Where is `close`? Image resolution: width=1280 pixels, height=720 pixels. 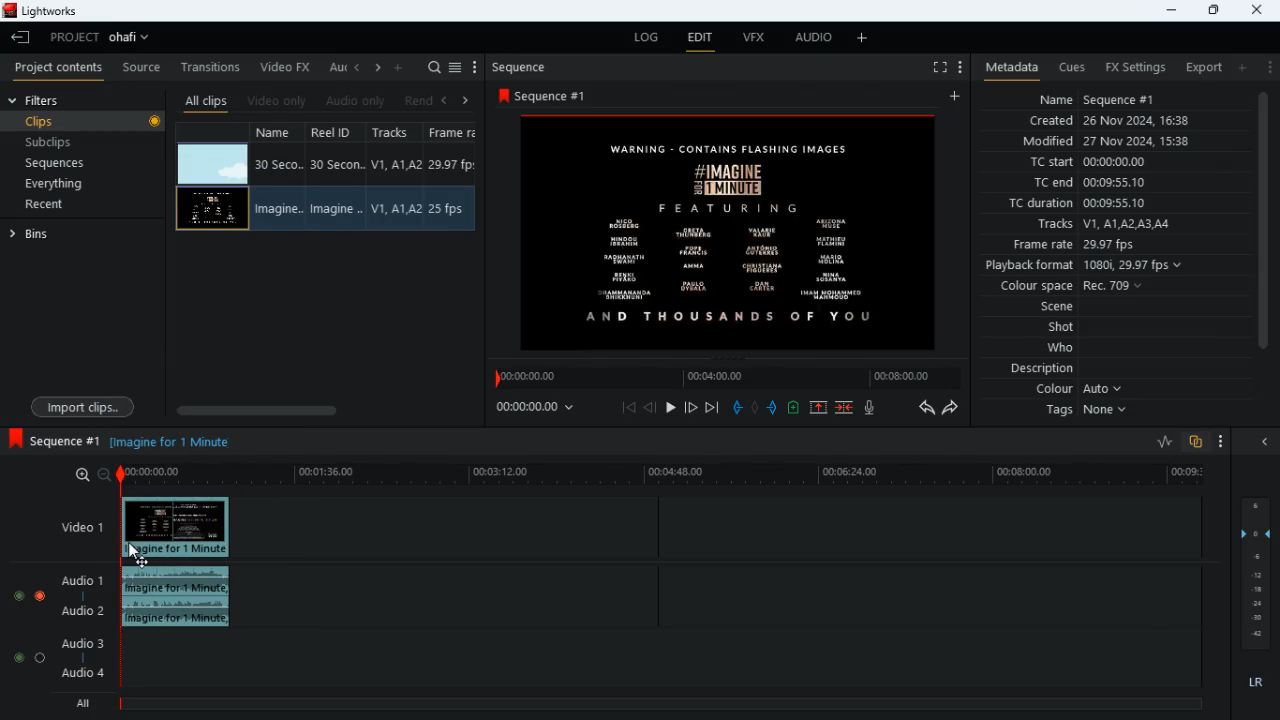 close is located at coordinates (1262, 441).